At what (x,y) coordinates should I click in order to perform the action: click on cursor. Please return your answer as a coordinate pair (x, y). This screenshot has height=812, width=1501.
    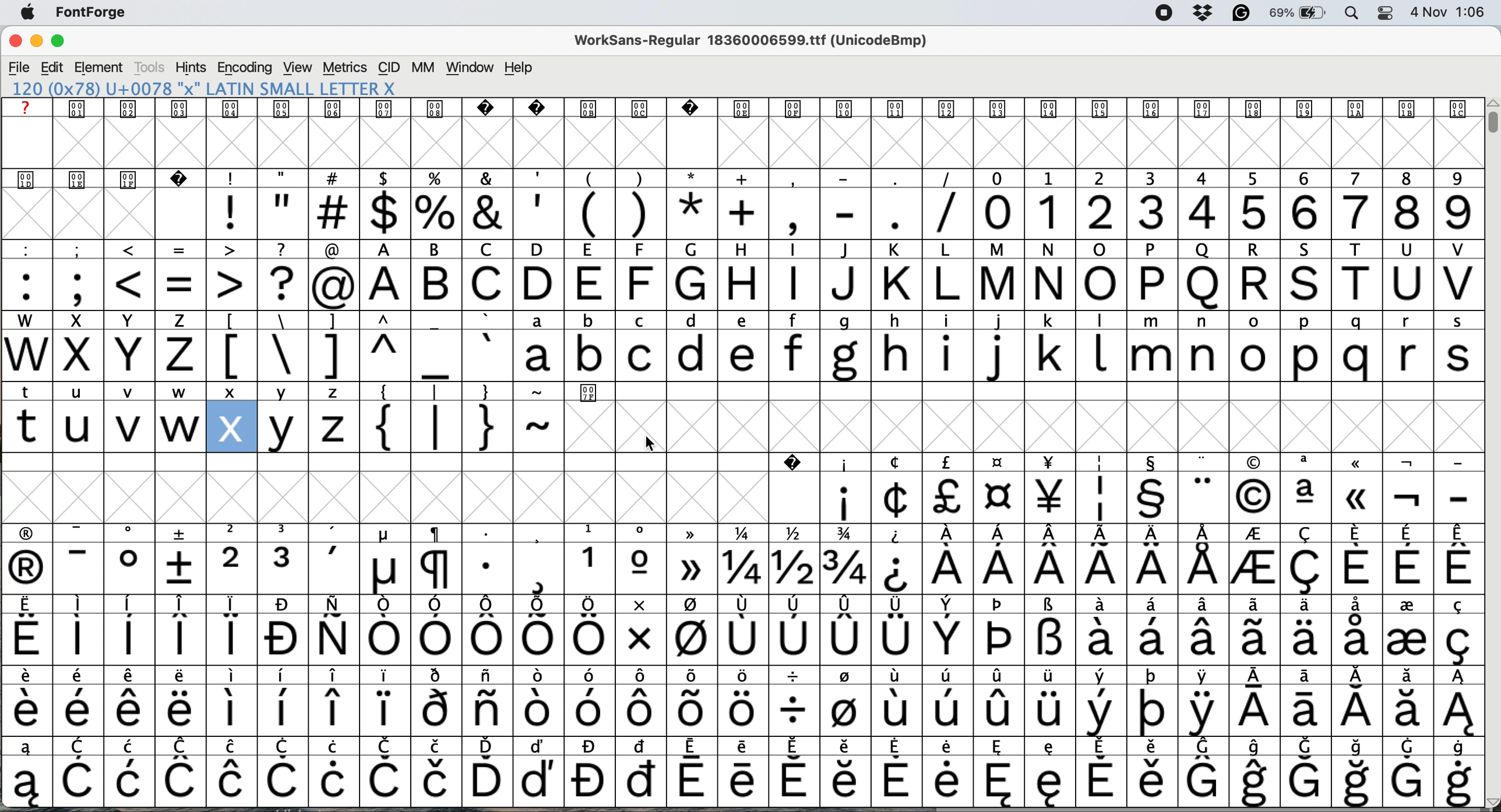
    Looking at the image, I should click on (651, 445).